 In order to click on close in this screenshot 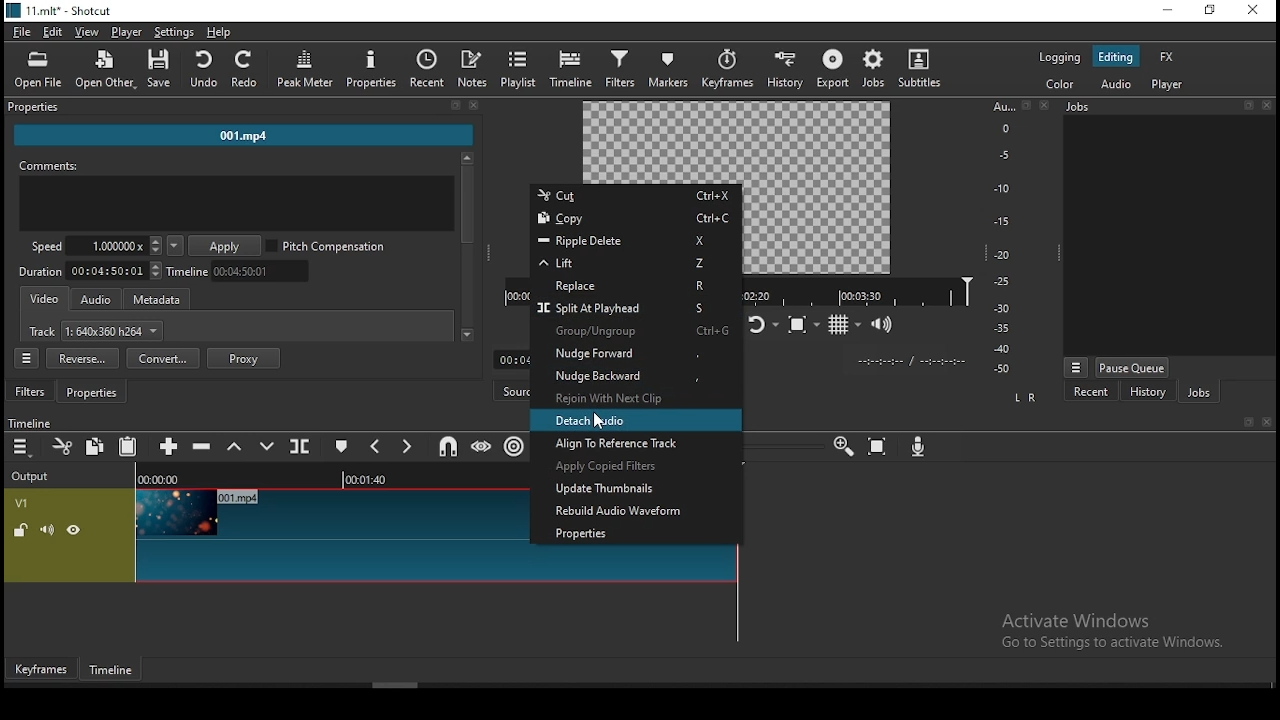, I will do `click(1266, 421)`.